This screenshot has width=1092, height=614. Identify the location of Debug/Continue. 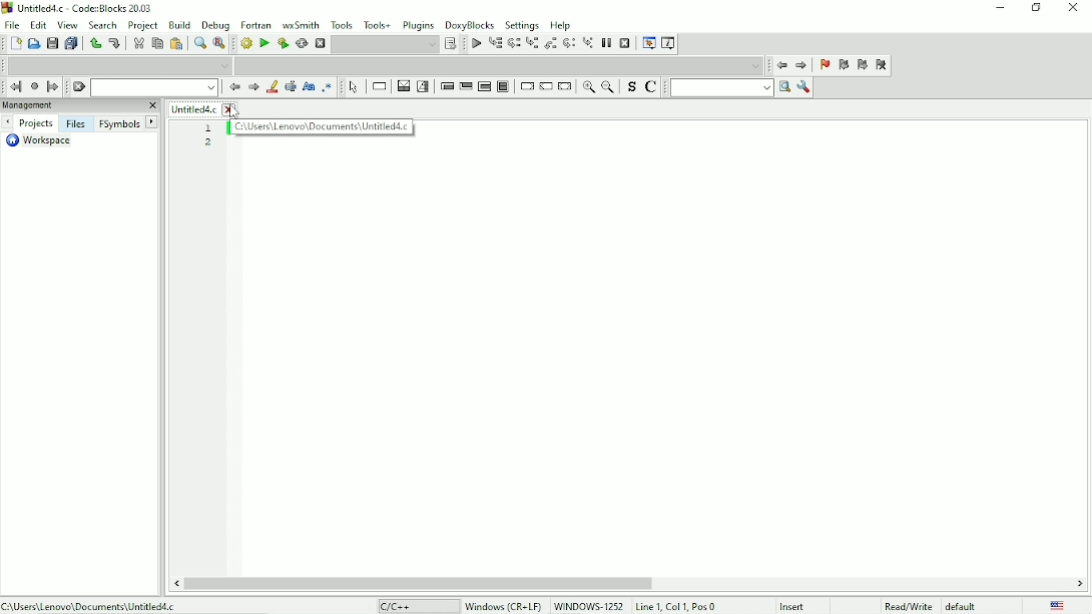
(476, 44).